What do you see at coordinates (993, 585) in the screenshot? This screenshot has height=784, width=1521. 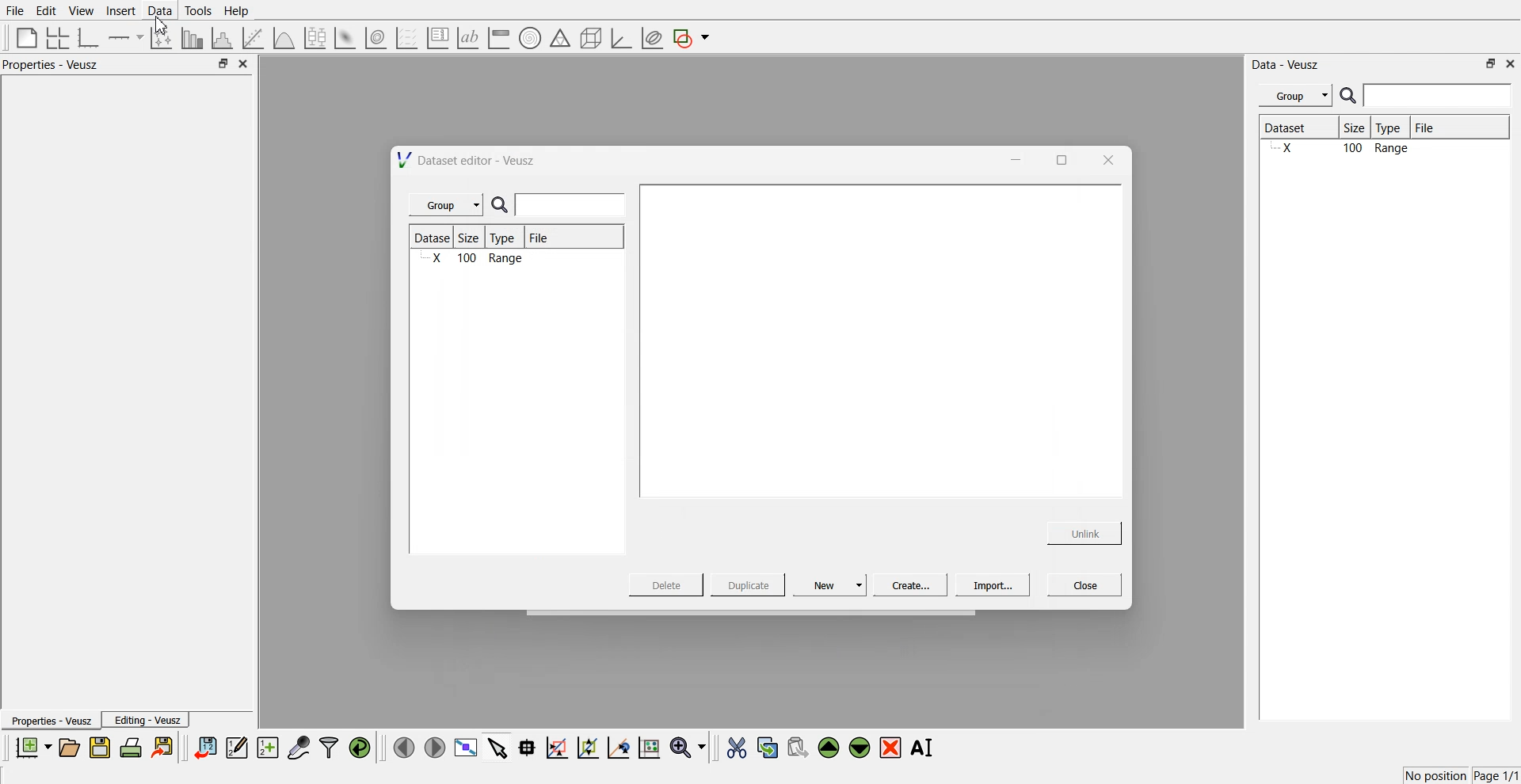 I see `Import...` at bounding box center [993, 585].